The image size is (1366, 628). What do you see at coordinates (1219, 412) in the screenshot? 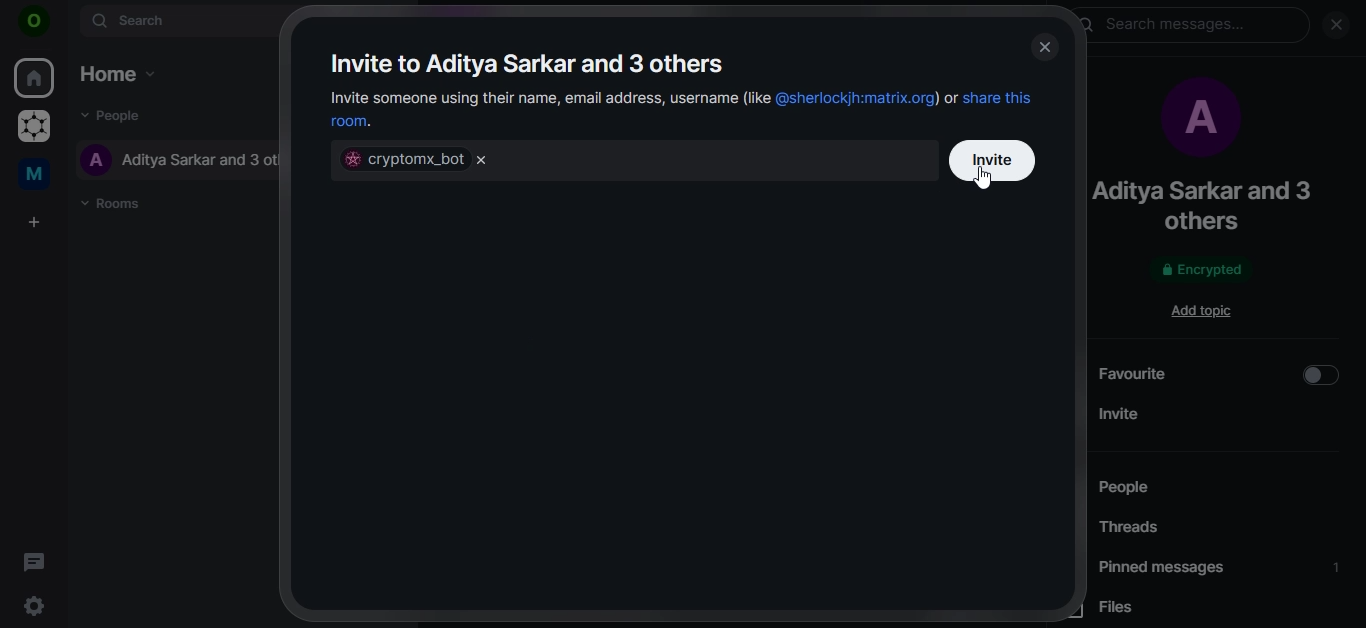
I see `invite` at bounding box center [1219, 412].